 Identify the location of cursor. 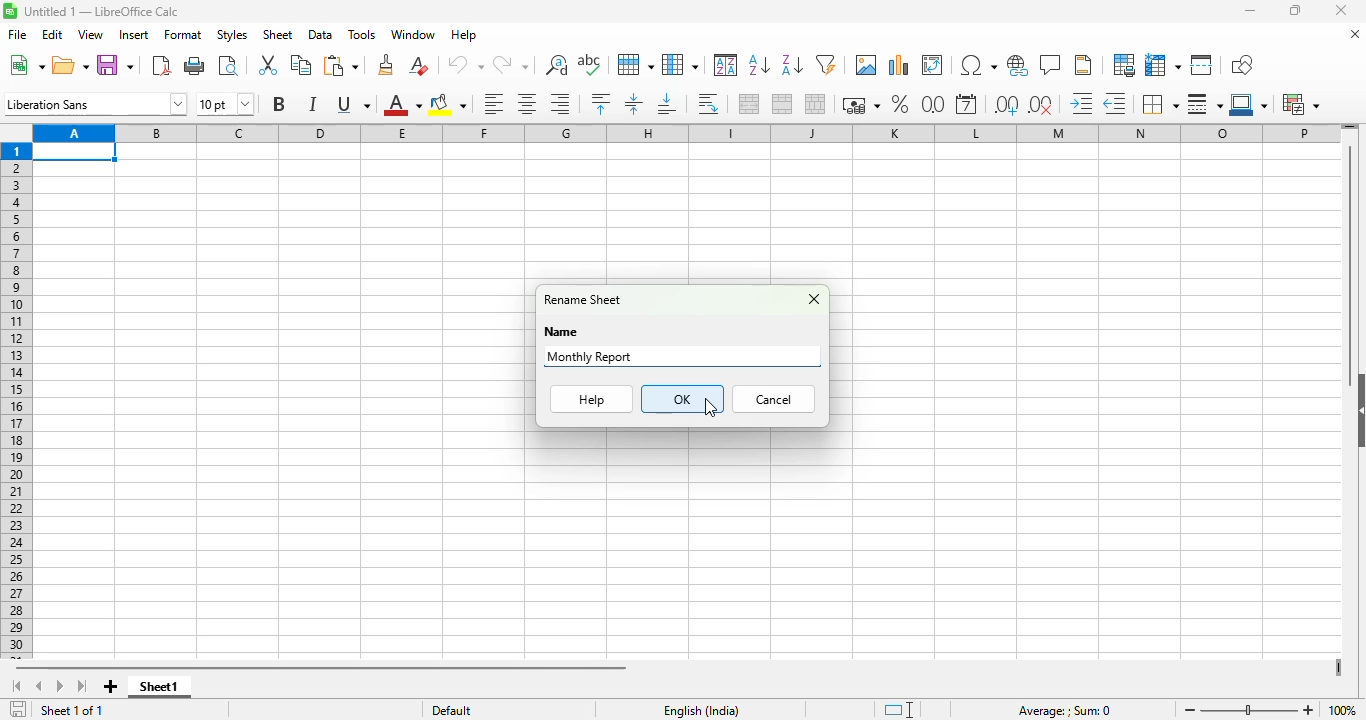
(711, 408).